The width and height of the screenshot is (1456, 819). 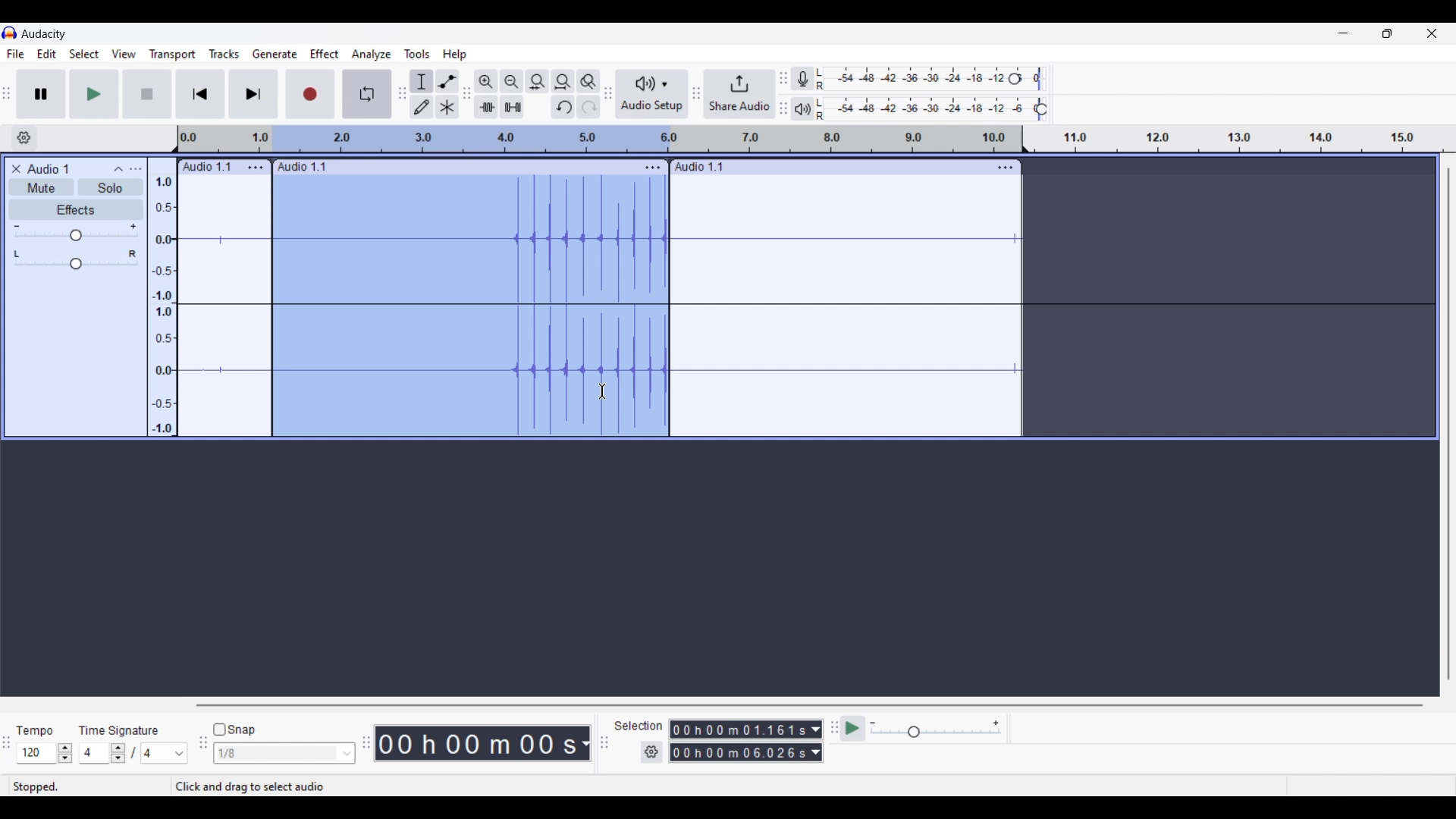 I want to click on Close interface, so click(x=1432, y=33).